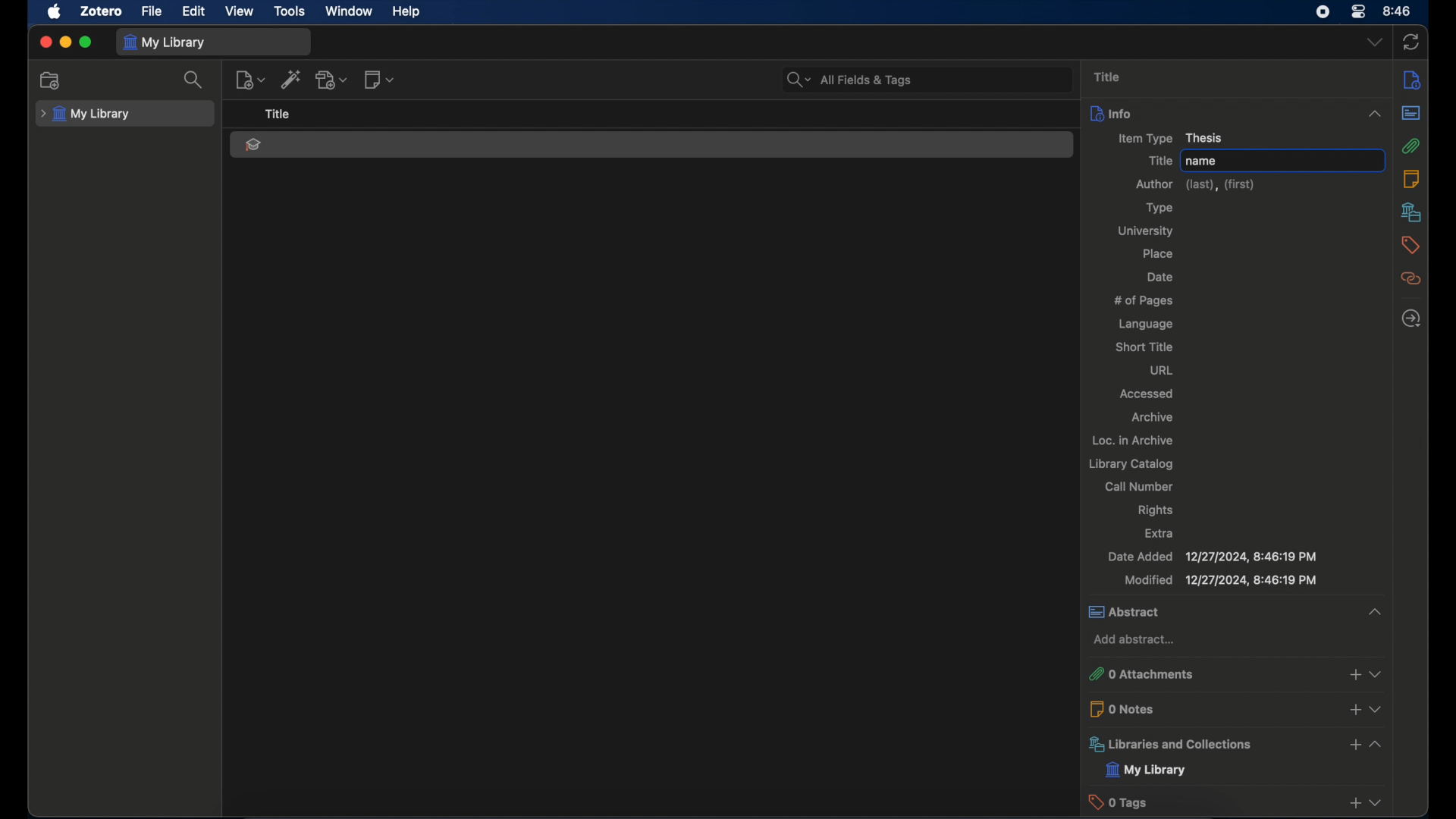  I want to click on add abstract, so click(1133, 640).